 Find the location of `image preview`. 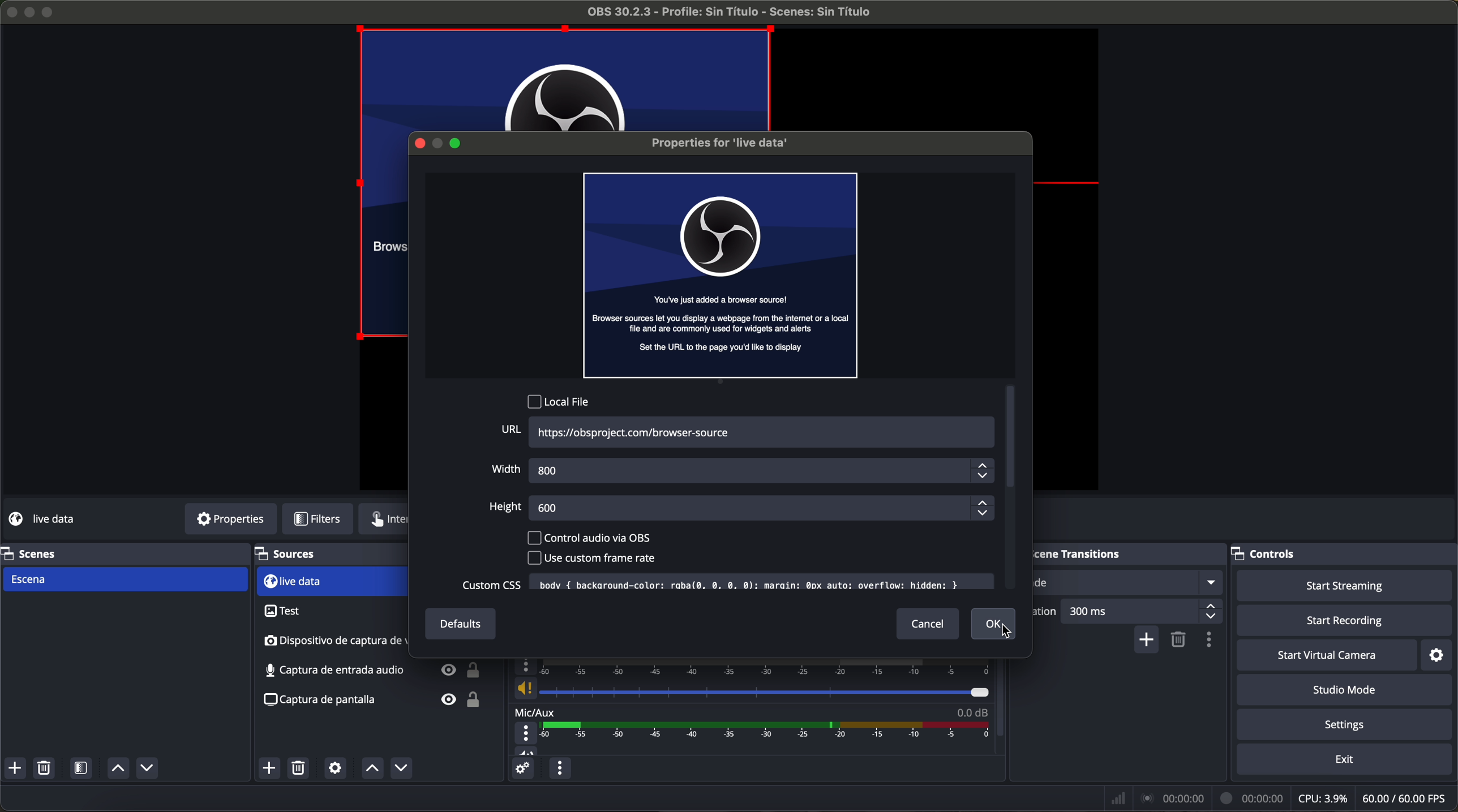

image preview is located at coordinates (383, 235).